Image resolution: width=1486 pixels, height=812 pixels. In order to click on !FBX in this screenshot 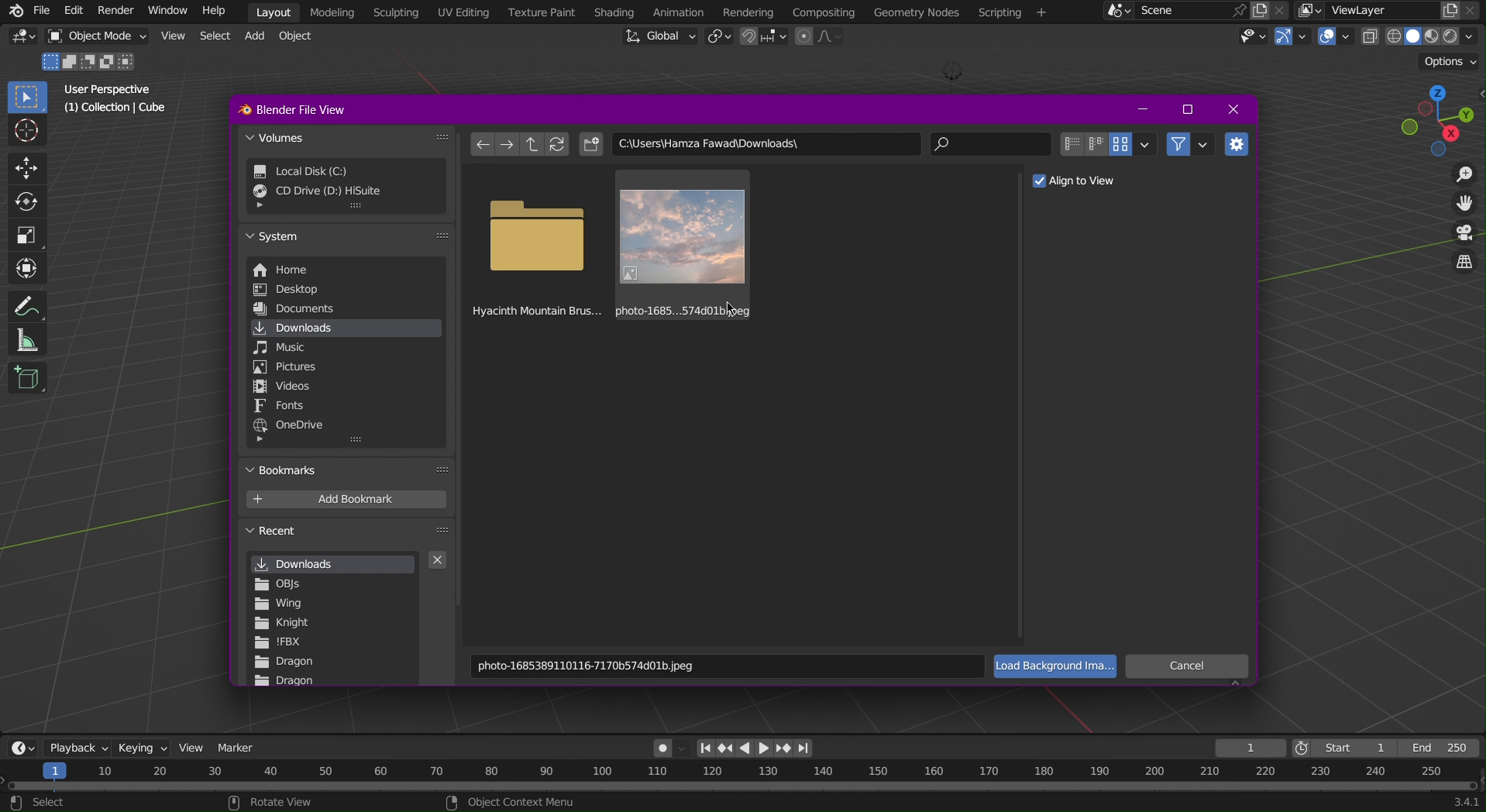, I will do `click(281, 644)`.